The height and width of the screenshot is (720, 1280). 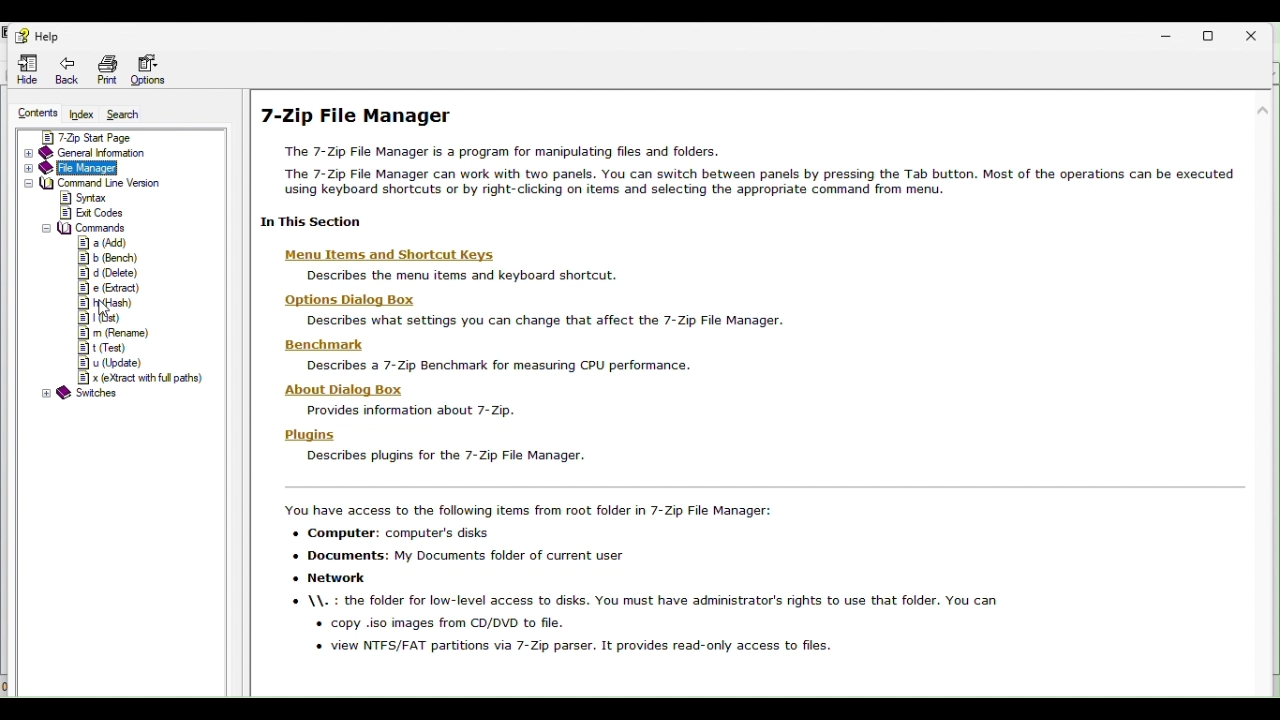 I want to click on About Dialog Box, so click(x=424, y=398).